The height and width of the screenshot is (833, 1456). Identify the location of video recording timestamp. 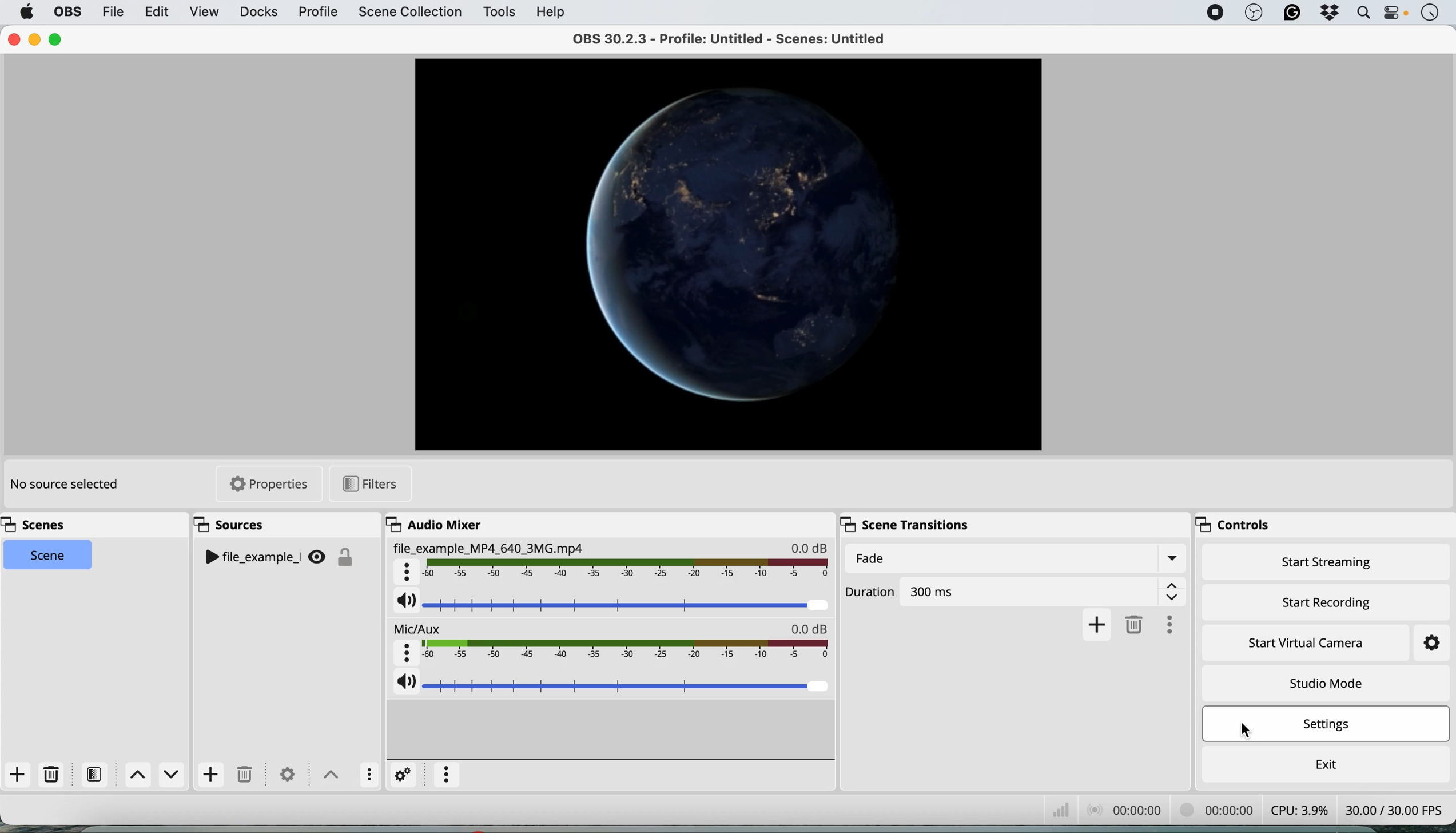
(1217, 809).